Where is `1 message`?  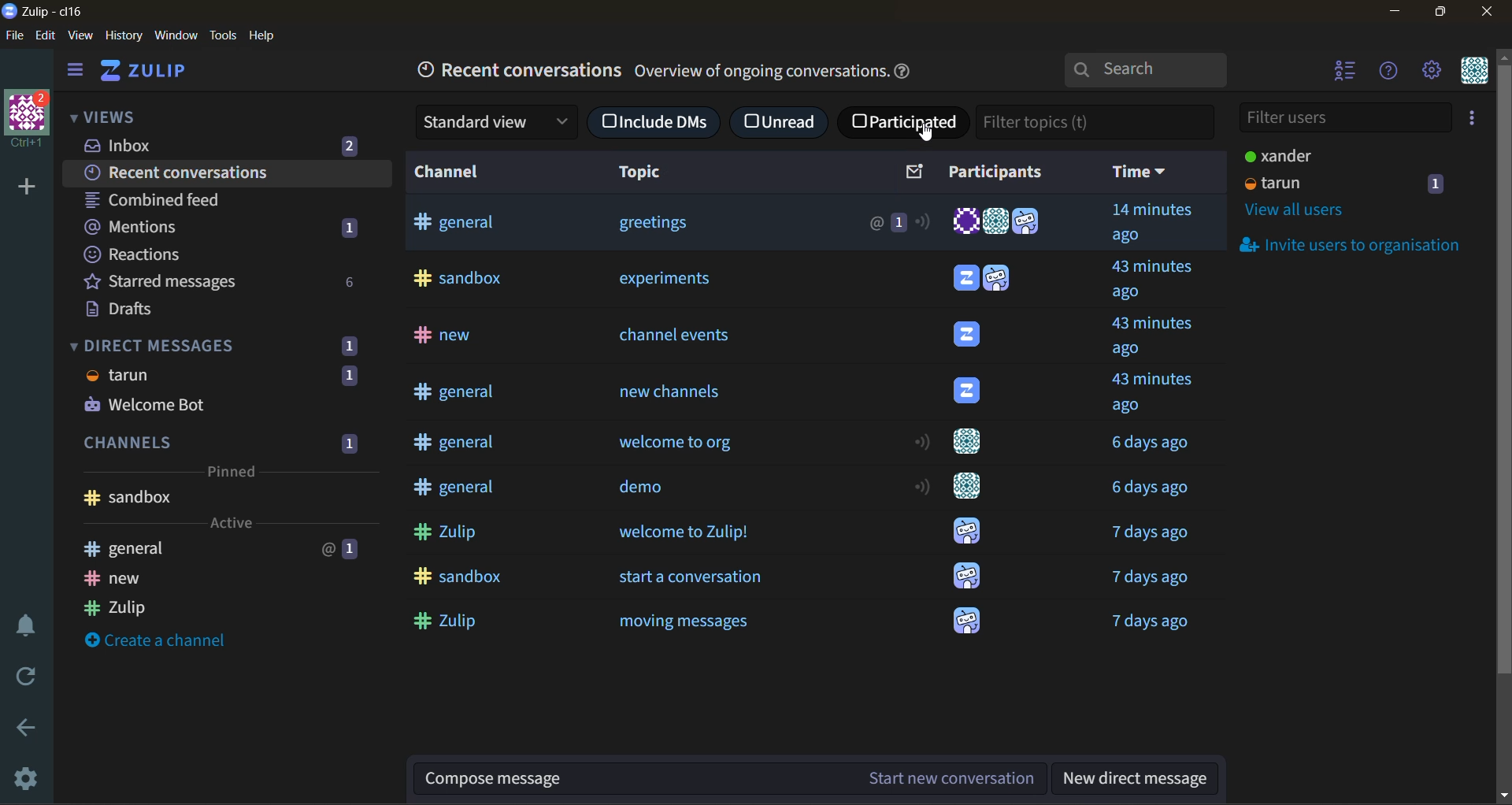
1 message is located at coordinates (899, 221).